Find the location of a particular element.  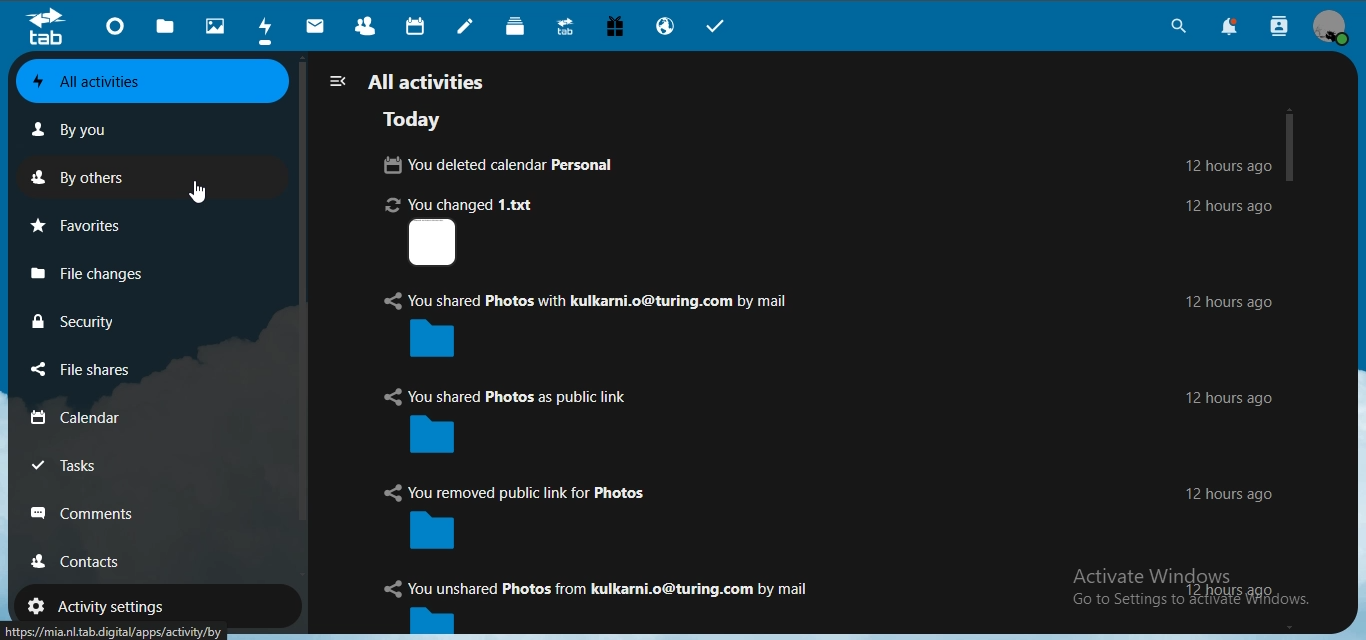

contacts is located at coordinates (366, 23).